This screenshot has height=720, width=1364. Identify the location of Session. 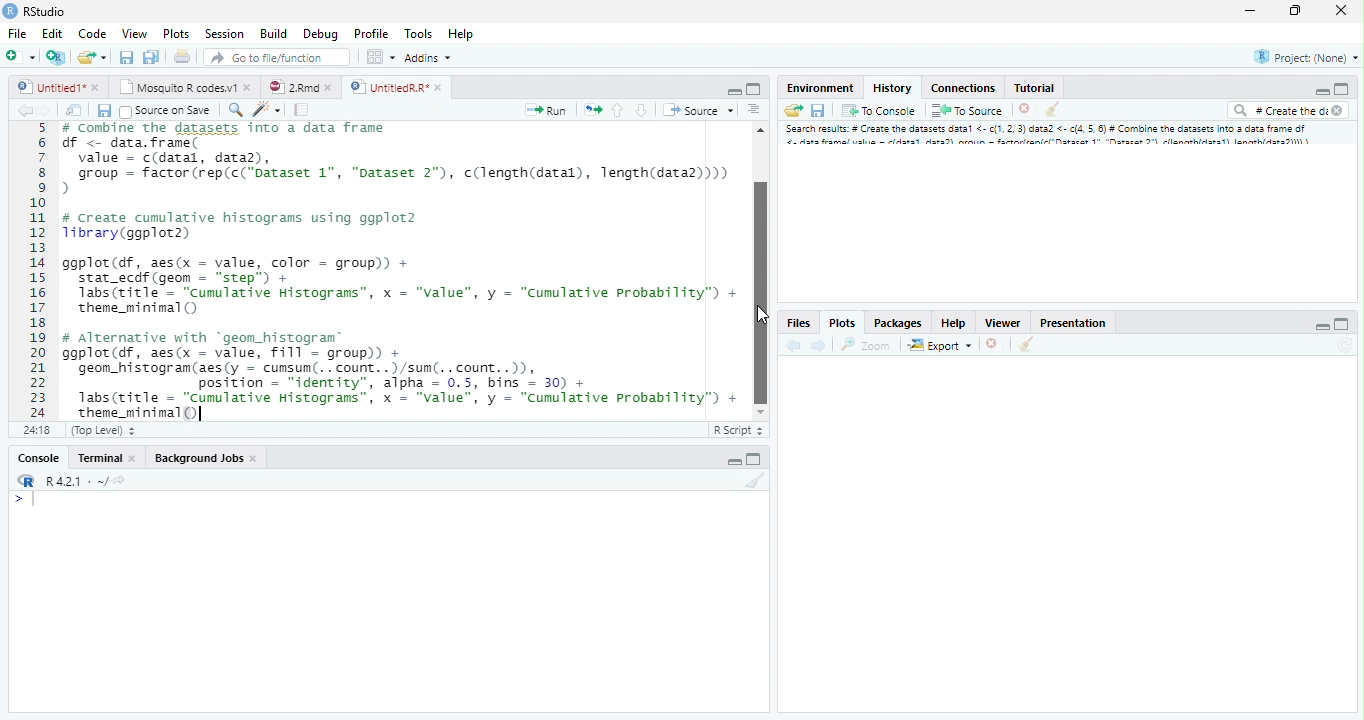
(227, 34).